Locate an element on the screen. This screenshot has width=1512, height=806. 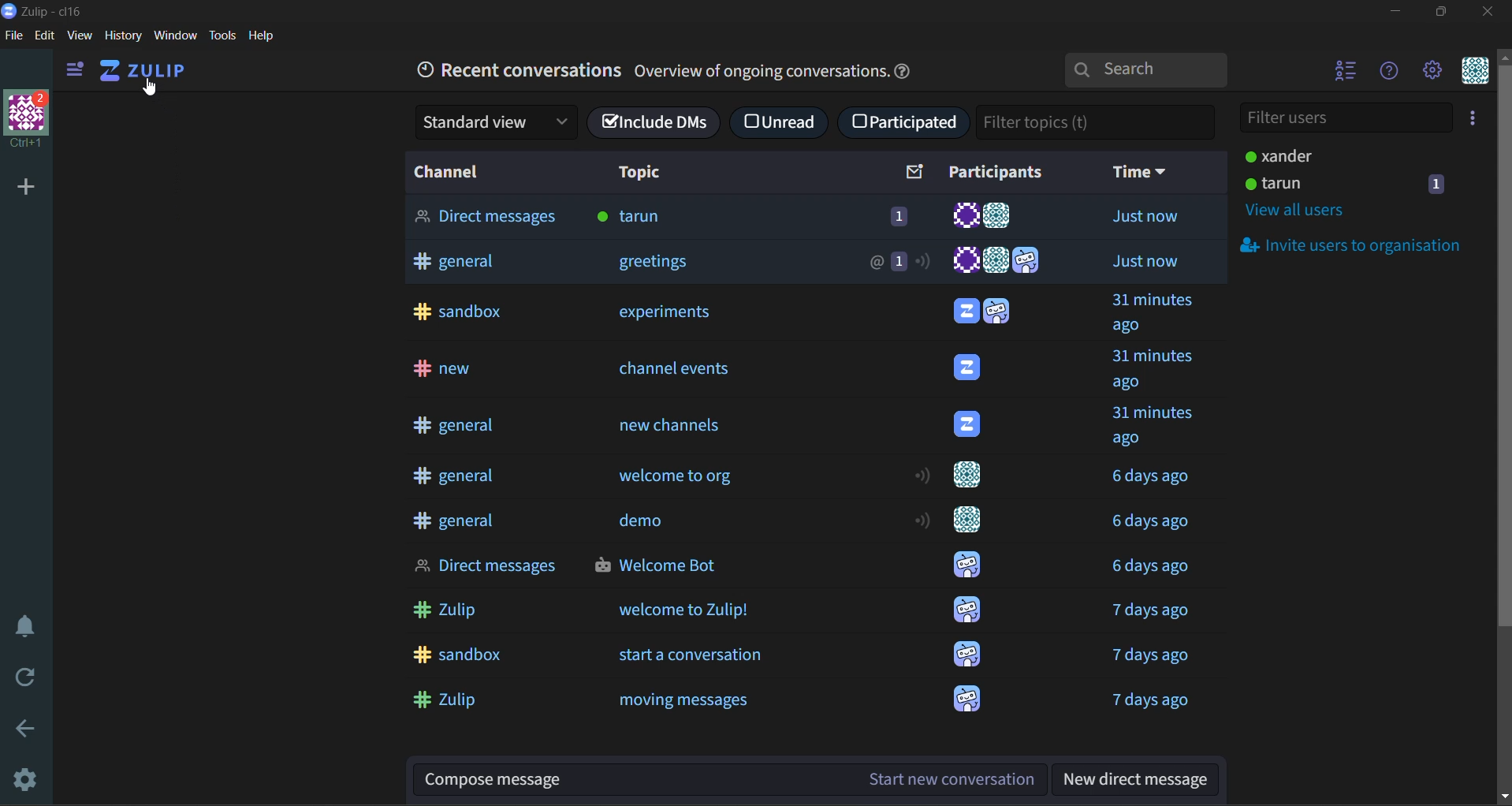
app name and organisation name is located at coordinates (47, 12).